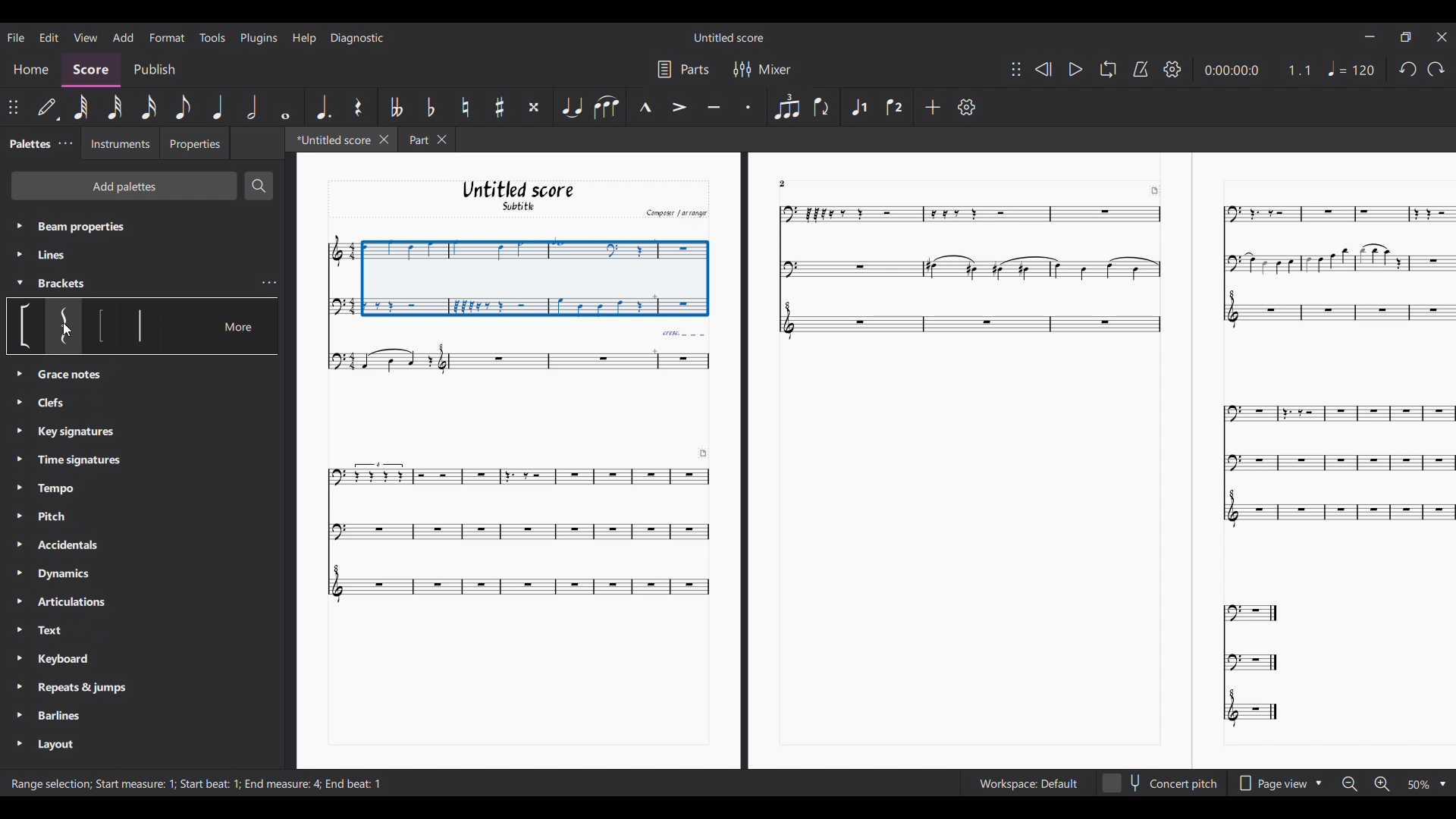 This screenshot has height=819, width=1456. I want to click on , so click(522, 531).